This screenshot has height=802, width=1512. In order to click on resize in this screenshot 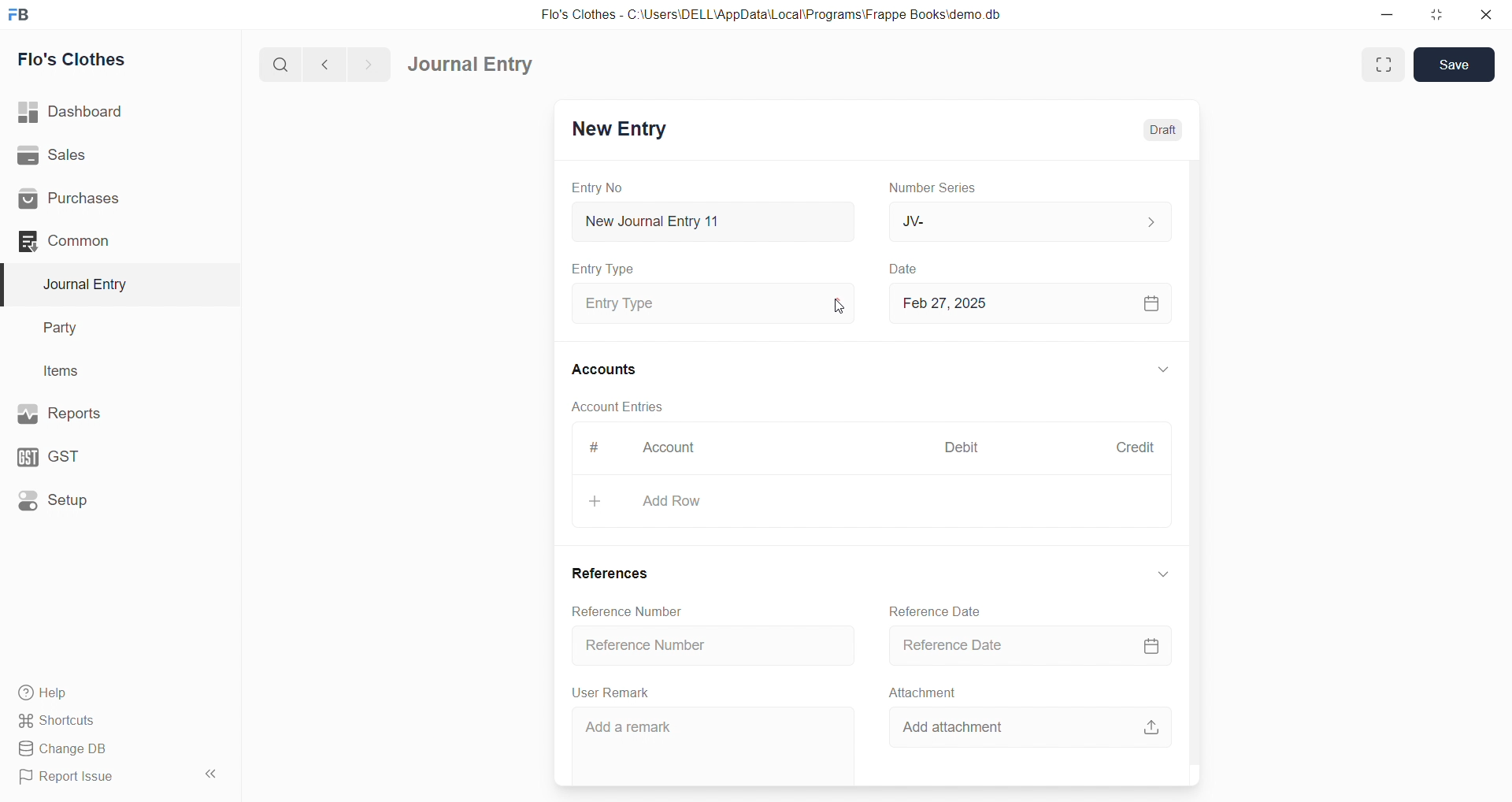, I will do `click(1436, 13)`.